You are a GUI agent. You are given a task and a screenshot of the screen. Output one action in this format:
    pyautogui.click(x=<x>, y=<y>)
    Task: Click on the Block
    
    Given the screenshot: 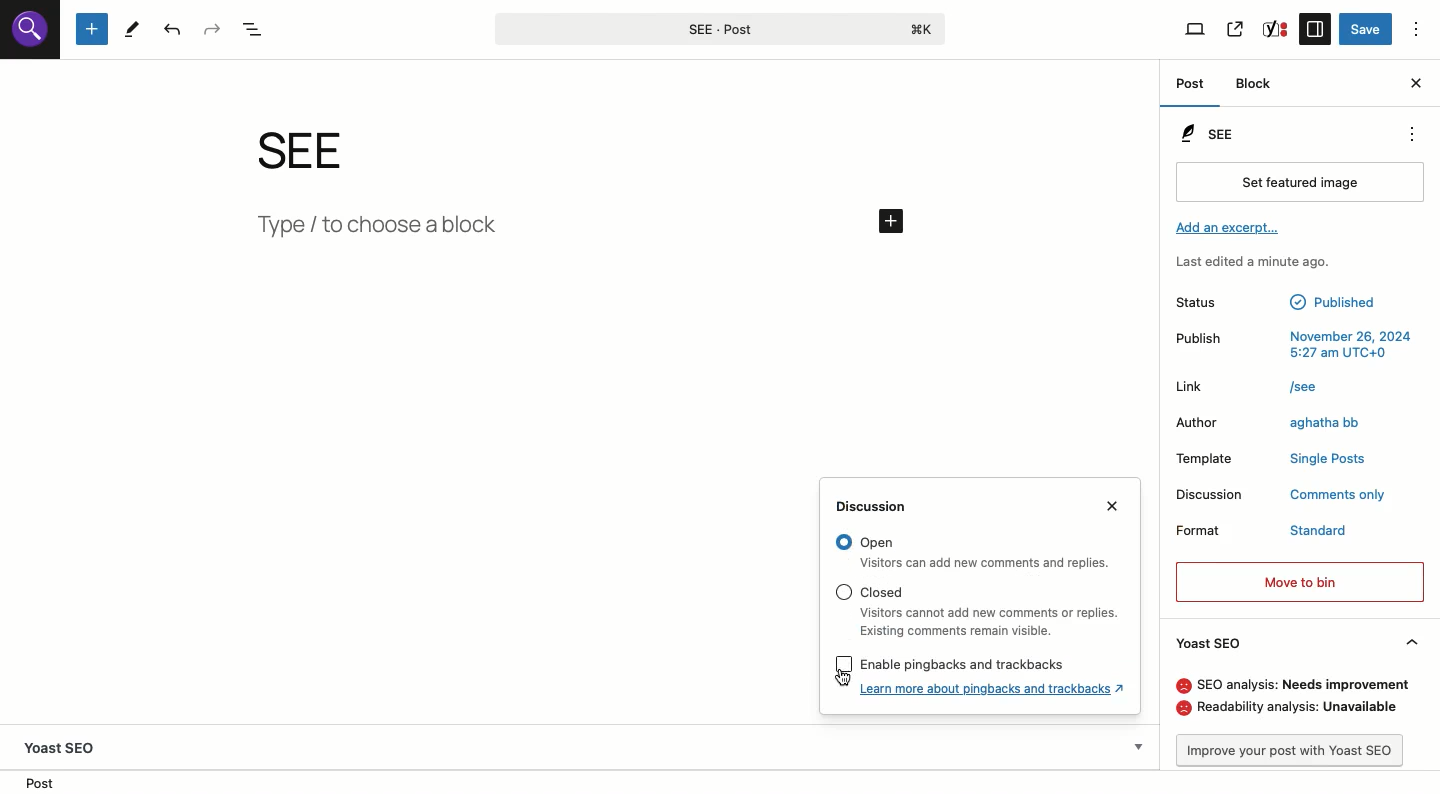 What is the action you would take?
    pyautogui.click(x=1257, y=85)
    